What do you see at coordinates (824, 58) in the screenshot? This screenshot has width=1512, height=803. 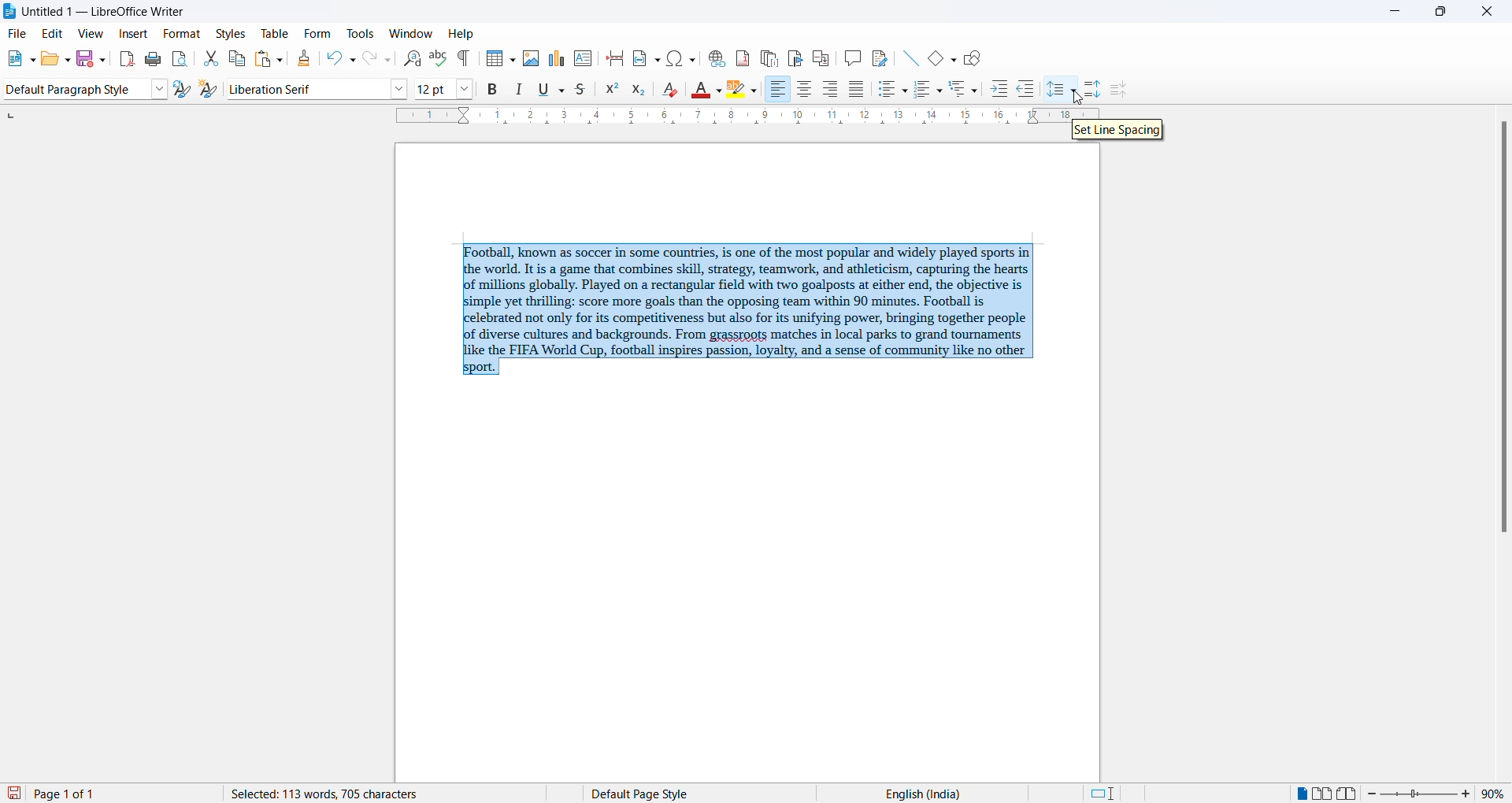 I see `insert cross-reference` at bounding box center [824, 58].